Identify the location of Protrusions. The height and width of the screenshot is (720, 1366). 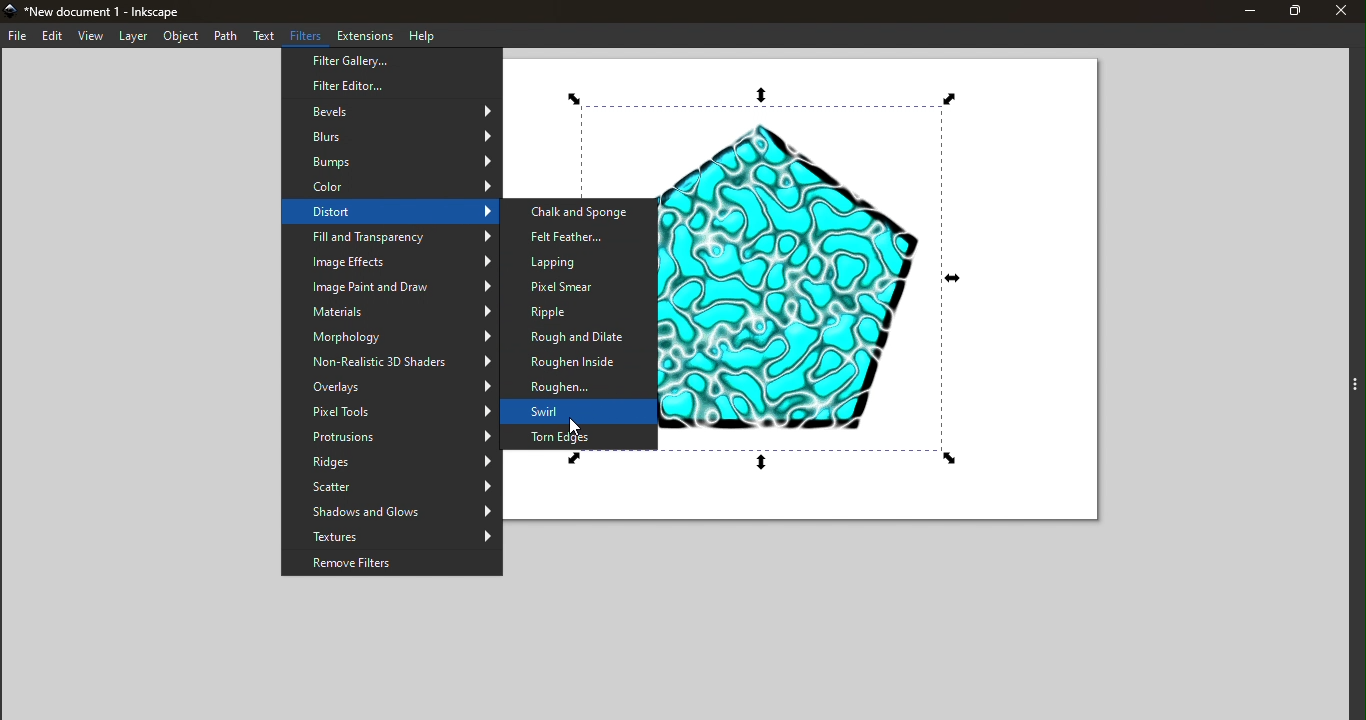
(391, 438).